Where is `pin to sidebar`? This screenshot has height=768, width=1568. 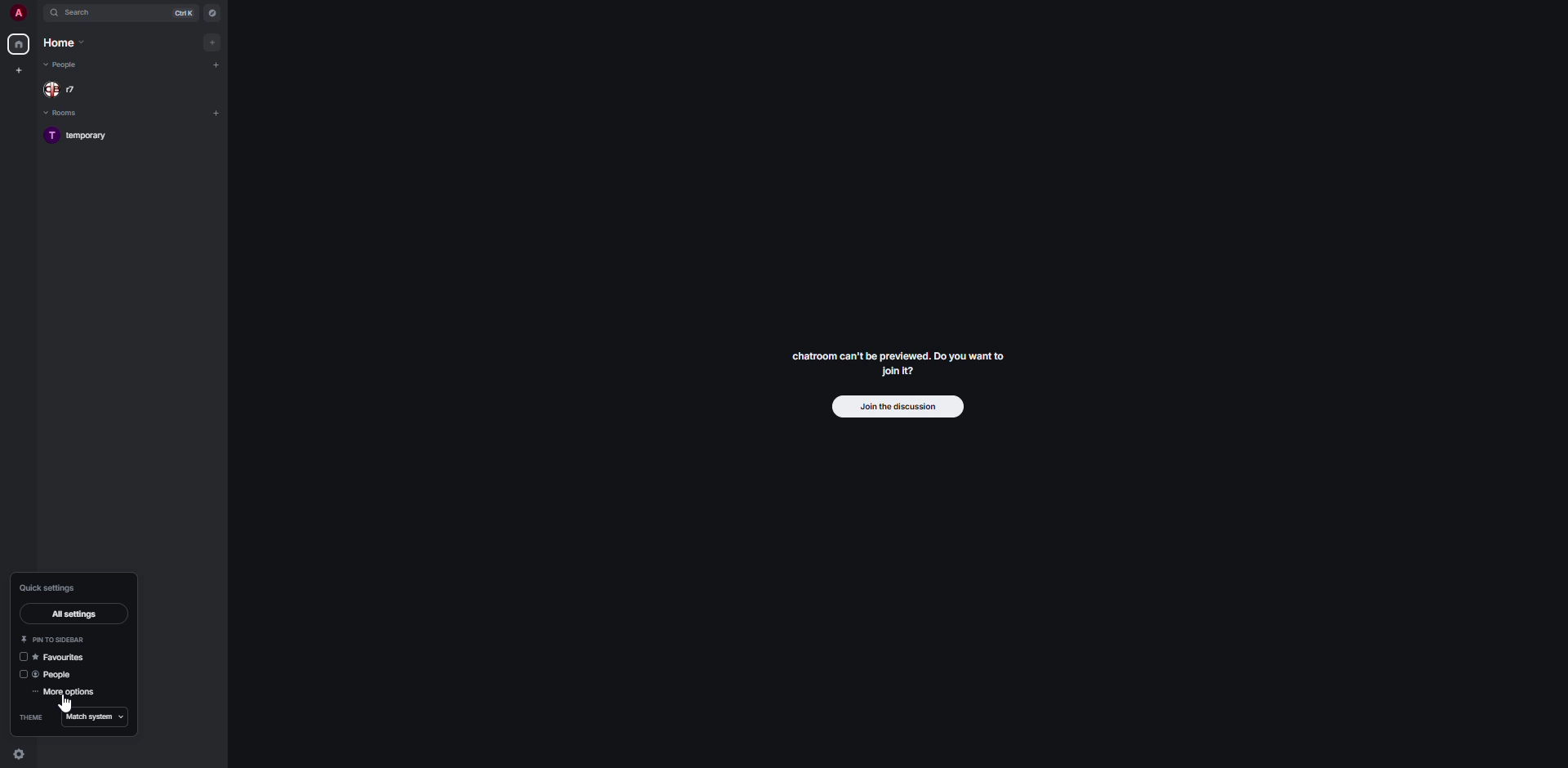
pin to sidebar is located at coordinates (56, 637).